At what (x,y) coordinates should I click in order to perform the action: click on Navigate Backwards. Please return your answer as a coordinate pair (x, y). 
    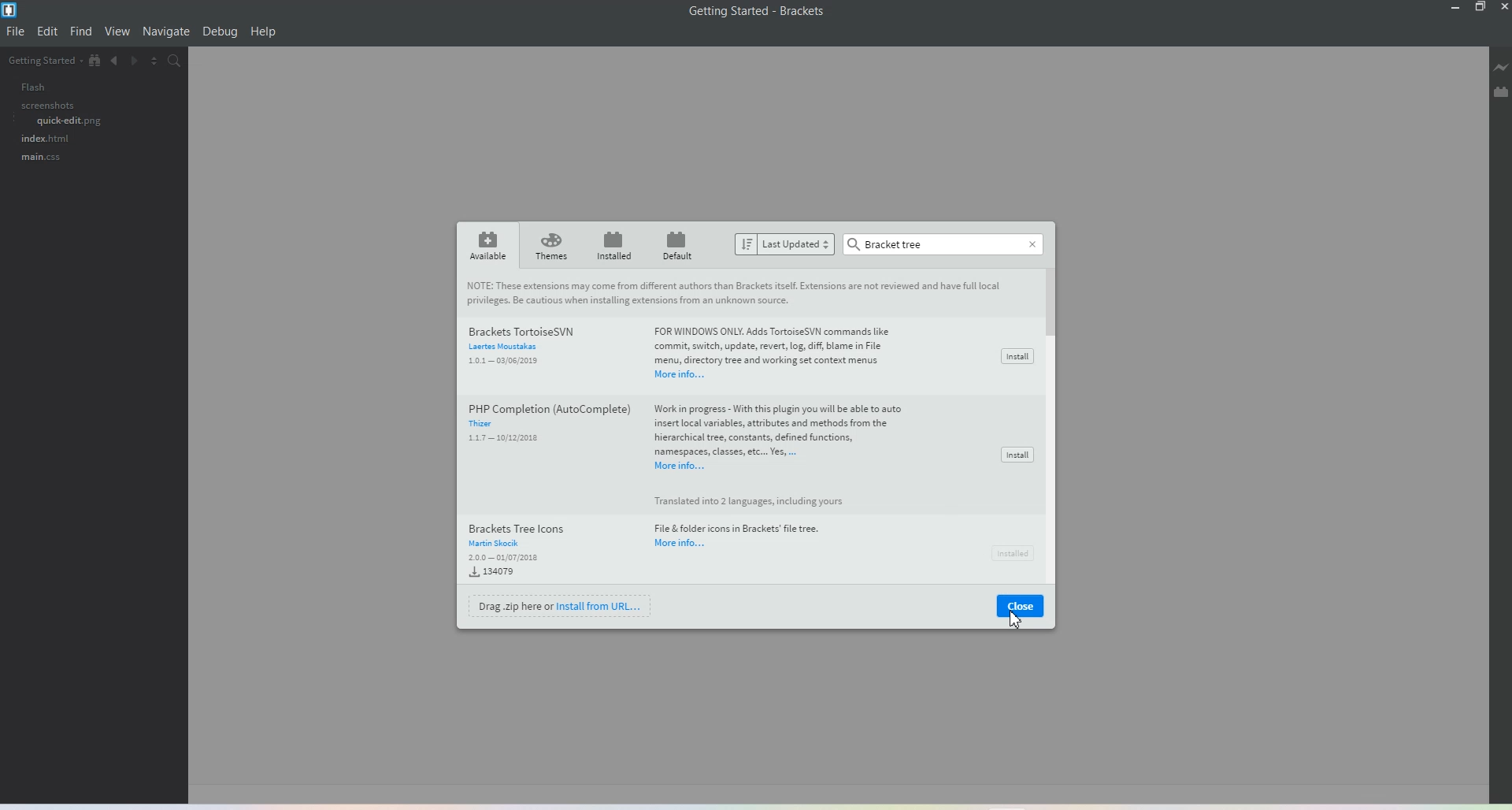
    Looking at the image, I should click on (116, 63).